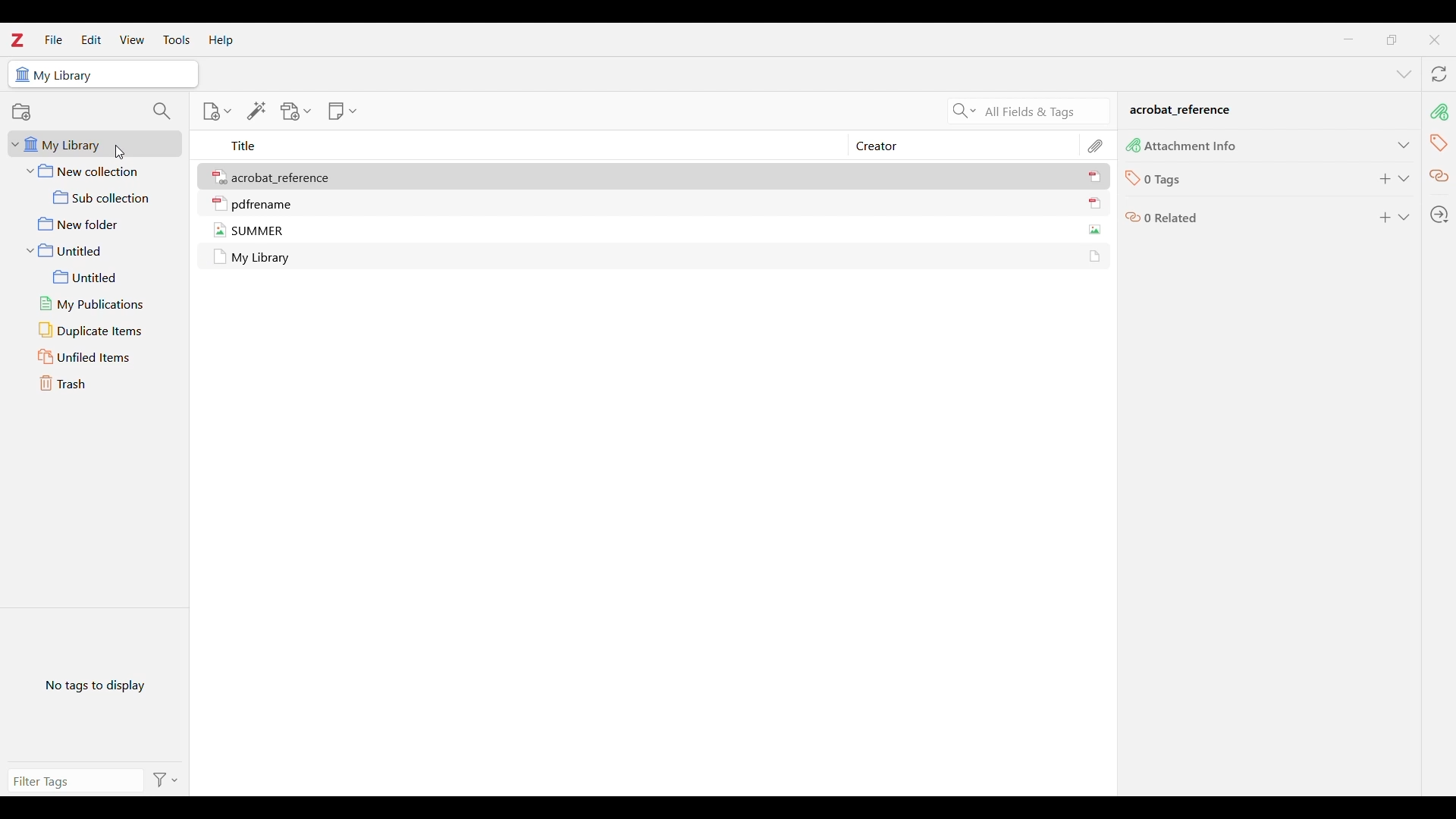 The width and height of the screenshot is (1456, 819). What do you see at coordinates (65, 782) in the screenshot?
I see `Type in filter tags` at bounding box center [65, 782].